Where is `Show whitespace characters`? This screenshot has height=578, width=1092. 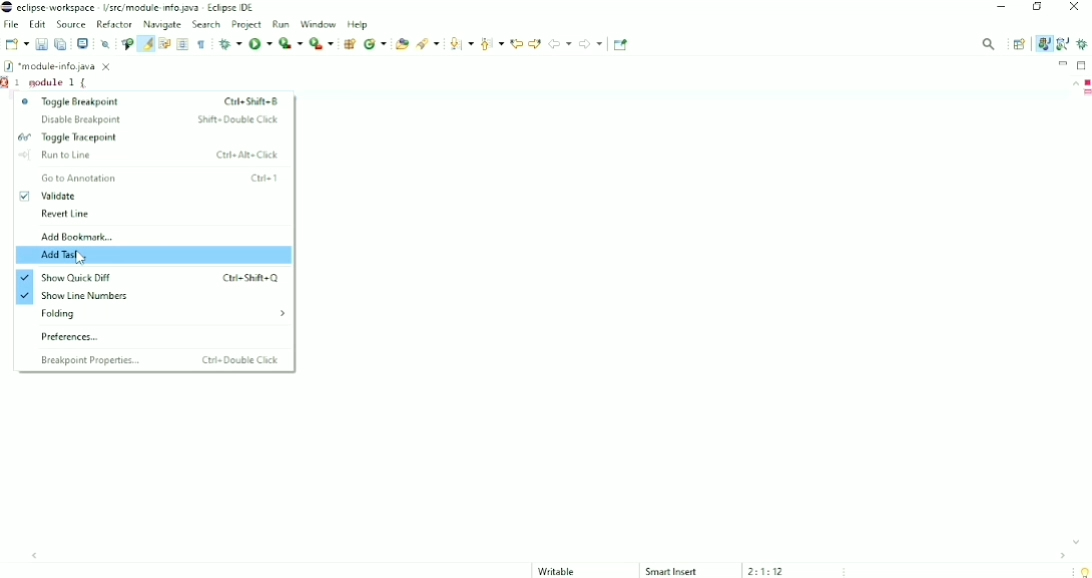
Show whitespace characters is located at coordinates (201, 44).